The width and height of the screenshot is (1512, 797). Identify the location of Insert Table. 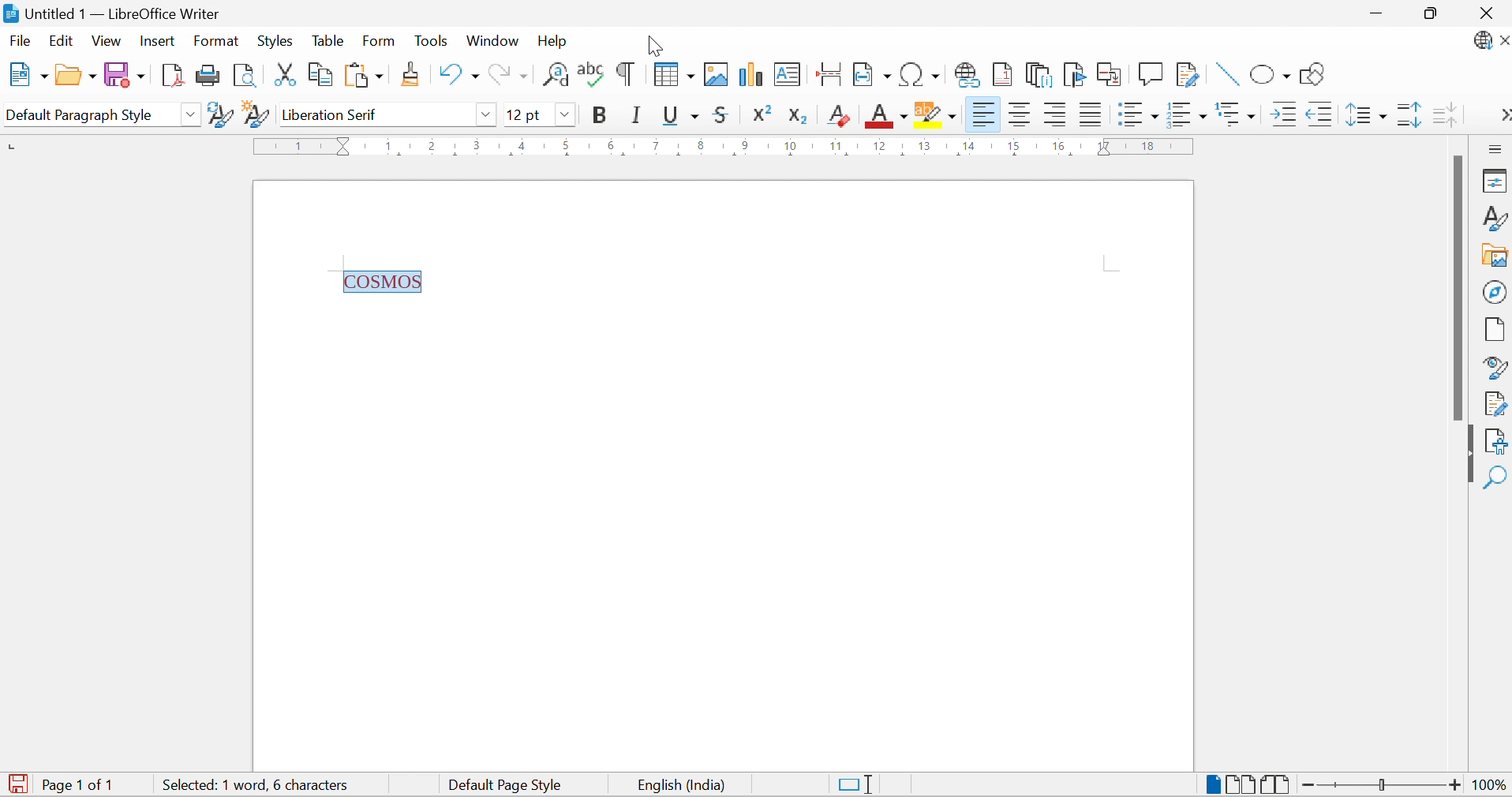
(674, 75).